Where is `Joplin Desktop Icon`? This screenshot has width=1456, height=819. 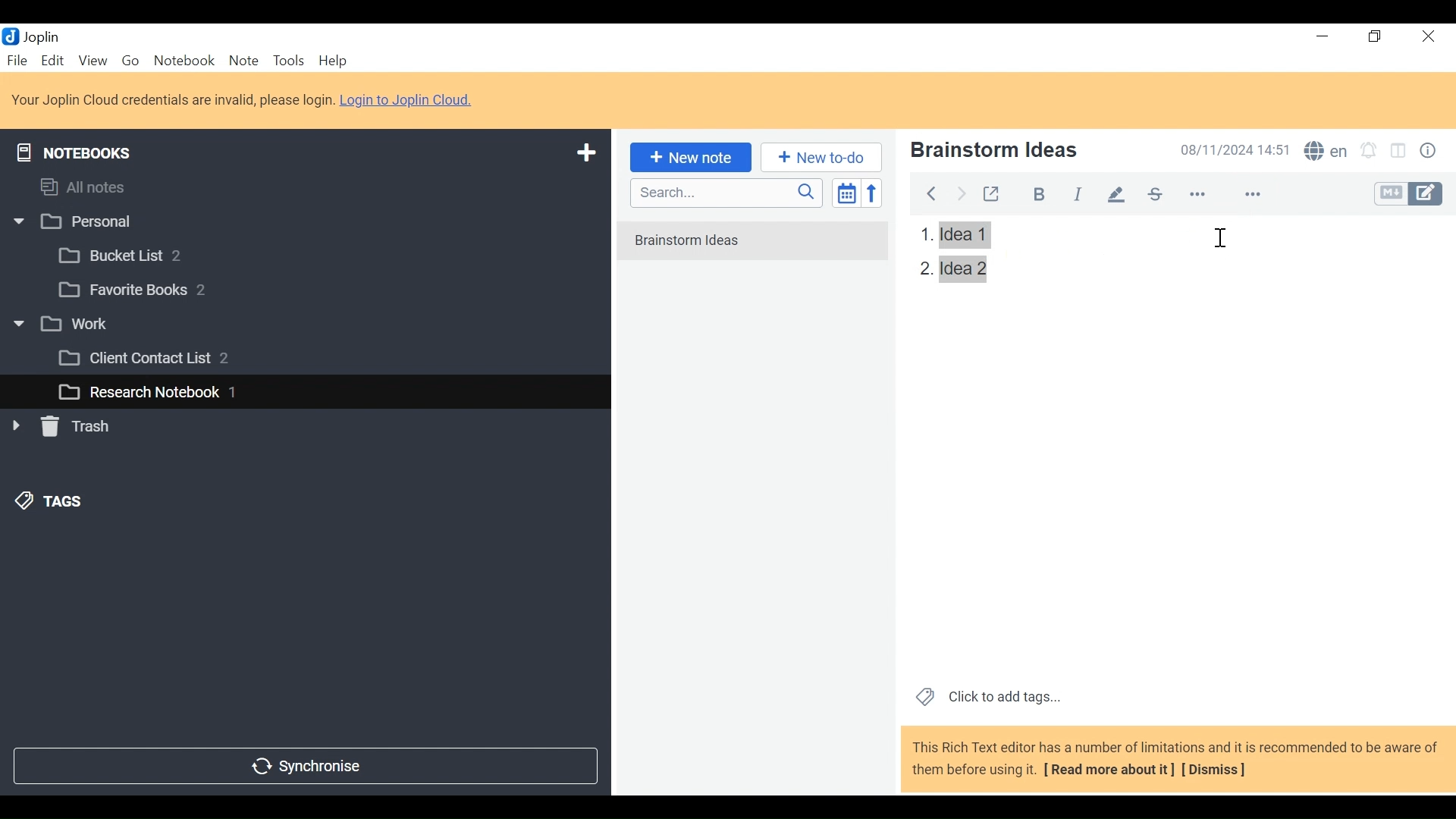
Joplin Desktop Icon is located at coordinates (39, 36).